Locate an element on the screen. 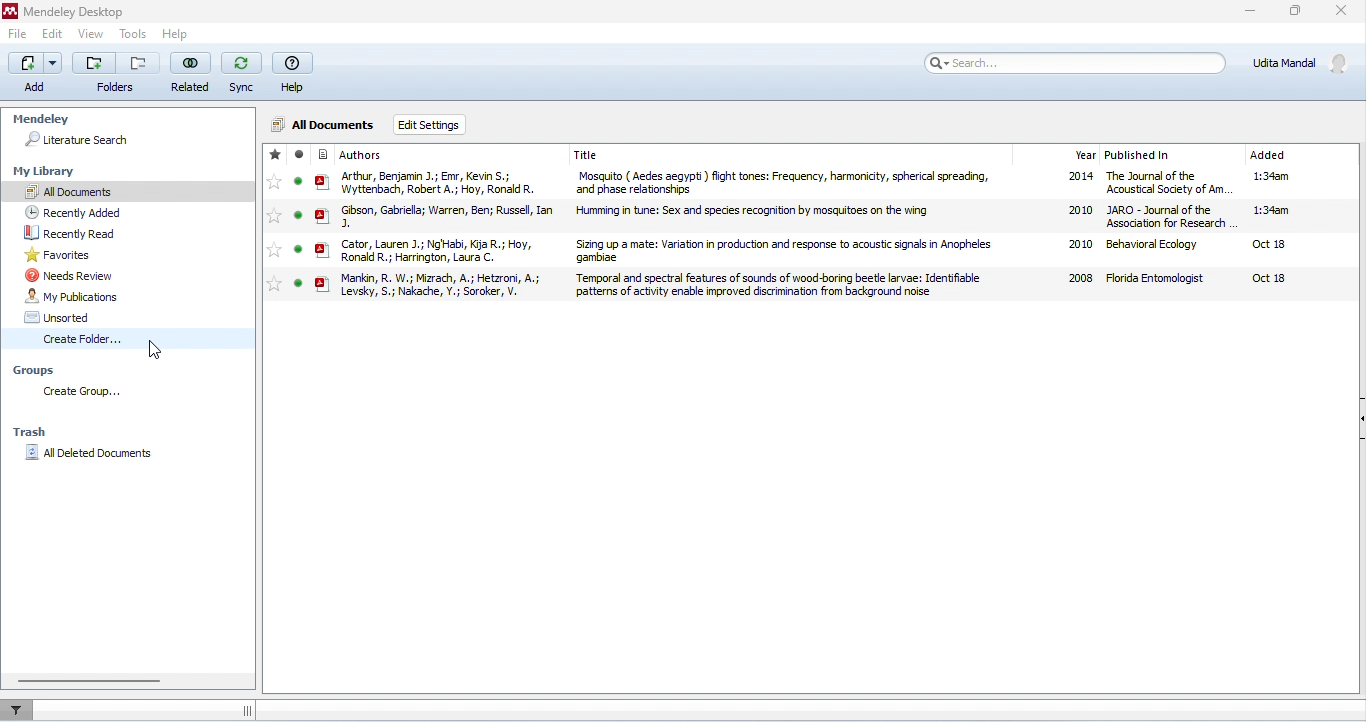 The image size is (1366, 722). needs review is located at coordinates (138, 275).